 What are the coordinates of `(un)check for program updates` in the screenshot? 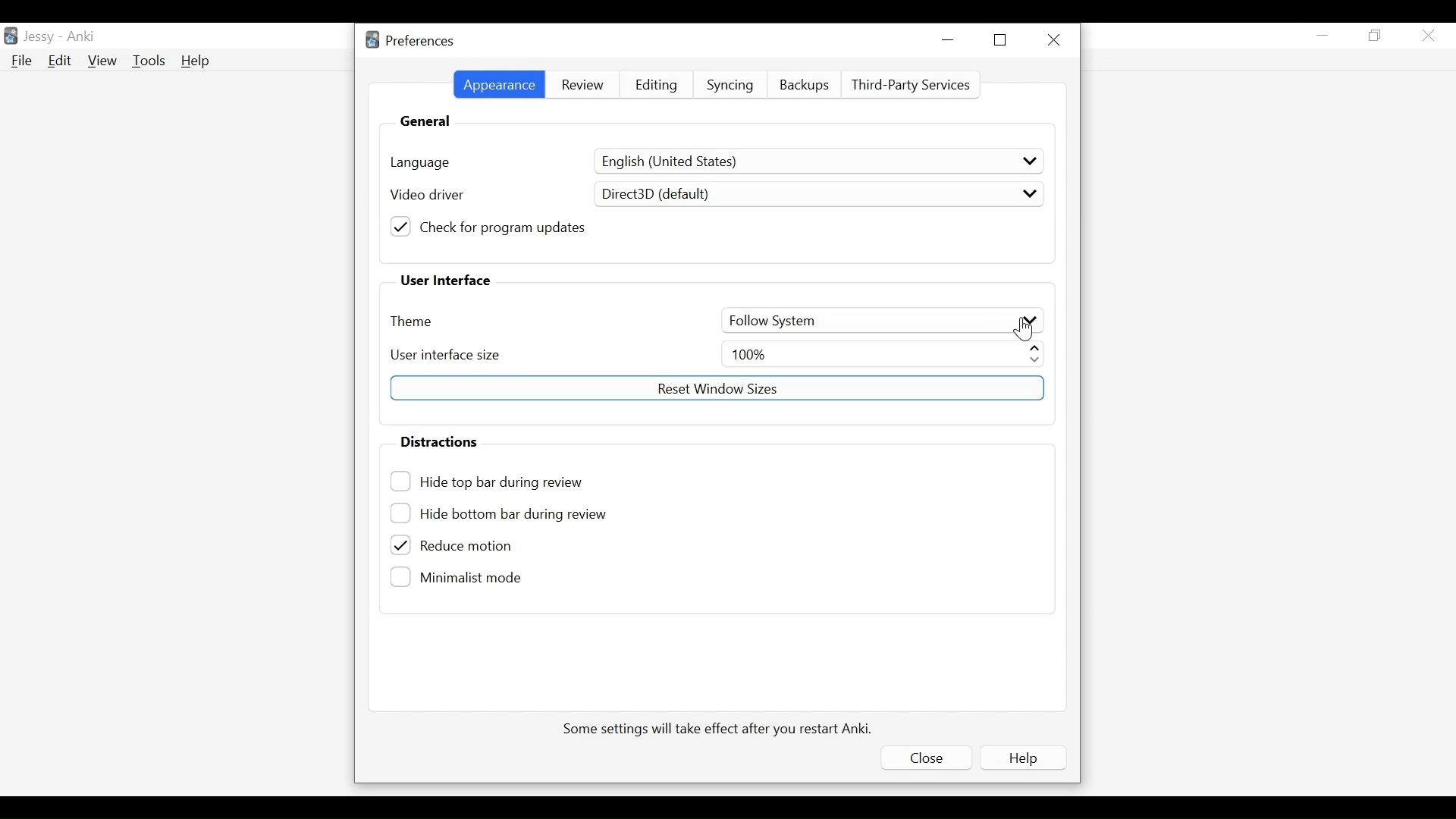 It's located at (491, 226).